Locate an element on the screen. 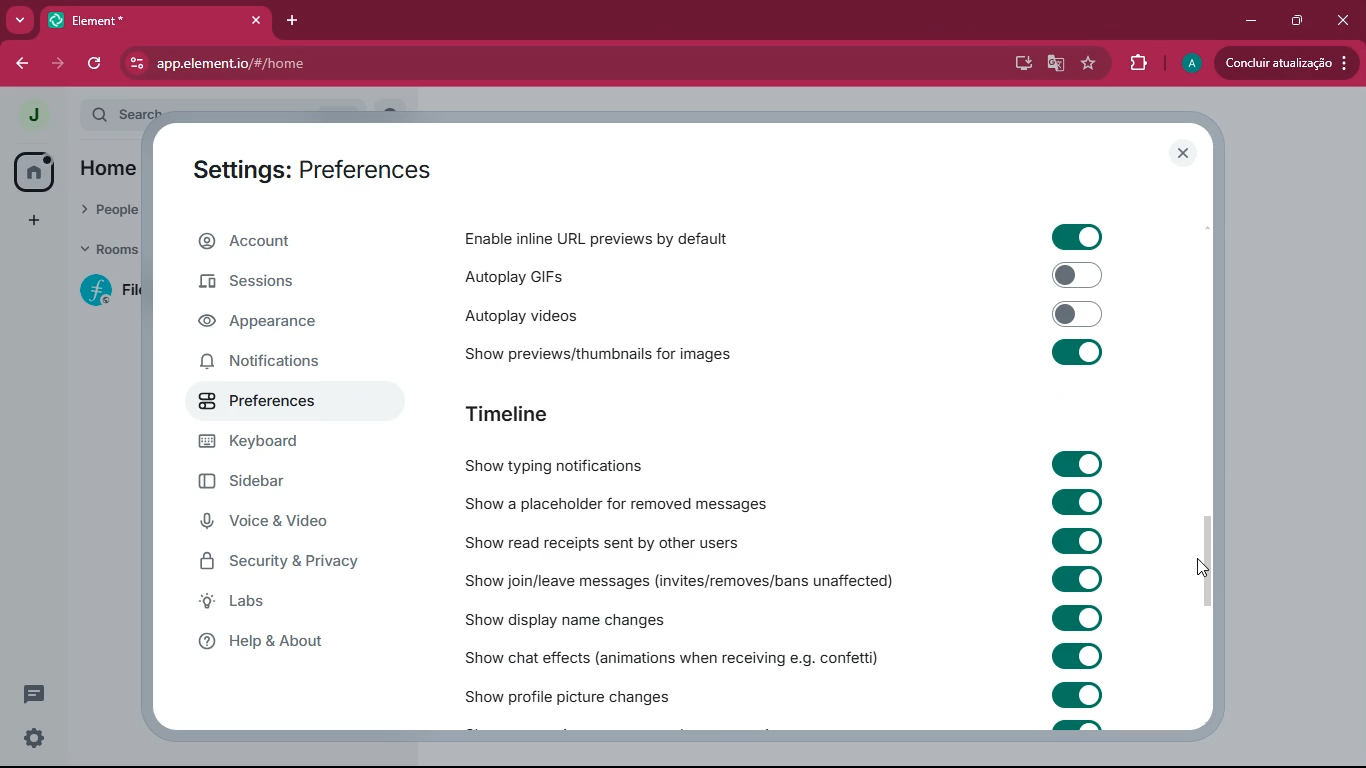 This screenshot has width=1366, height=768. toggle on/off is located at coordinates (1077, 656).